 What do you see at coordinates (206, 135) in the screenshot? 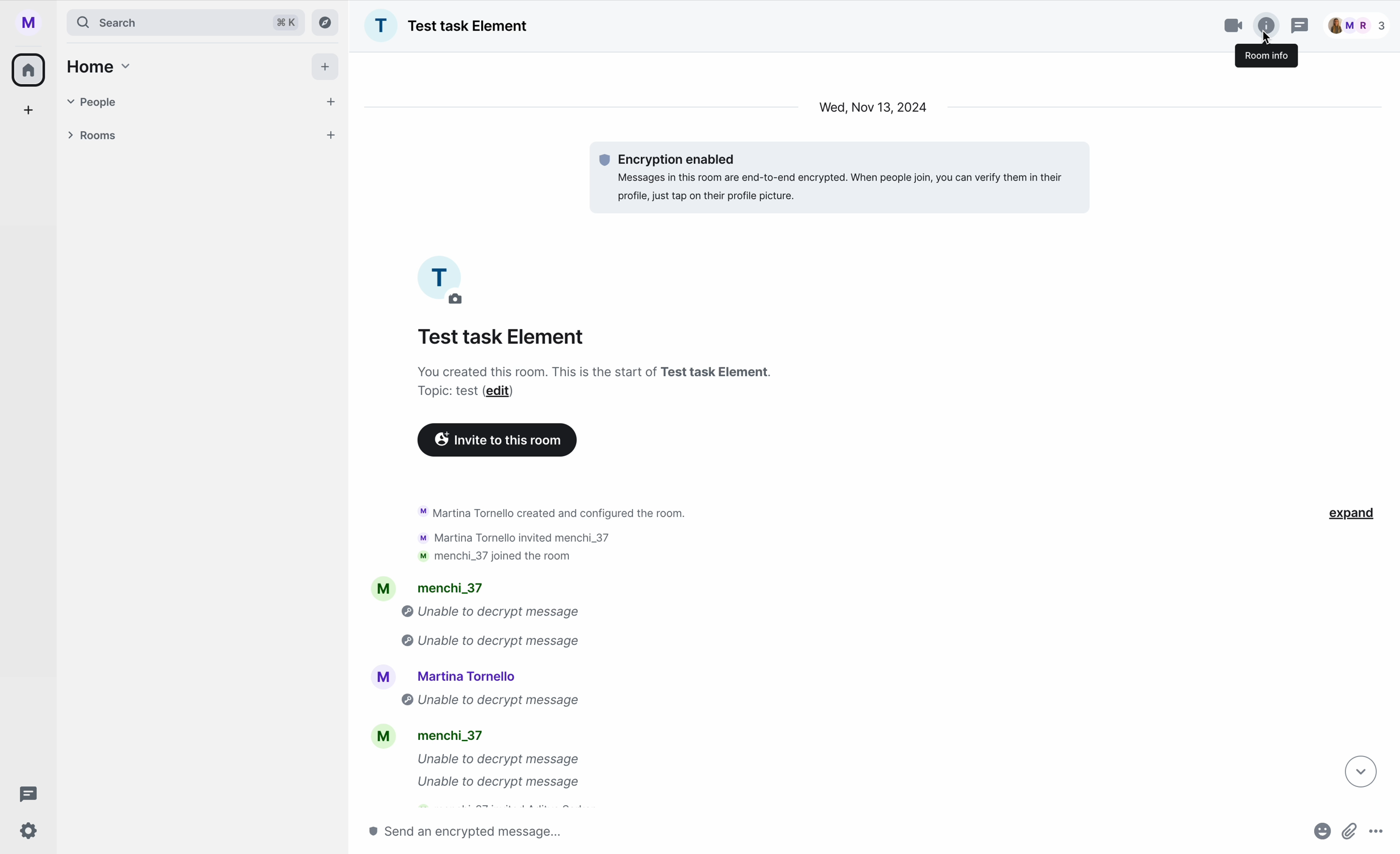
I see `rooms tab` at bounding box center [206, 135].